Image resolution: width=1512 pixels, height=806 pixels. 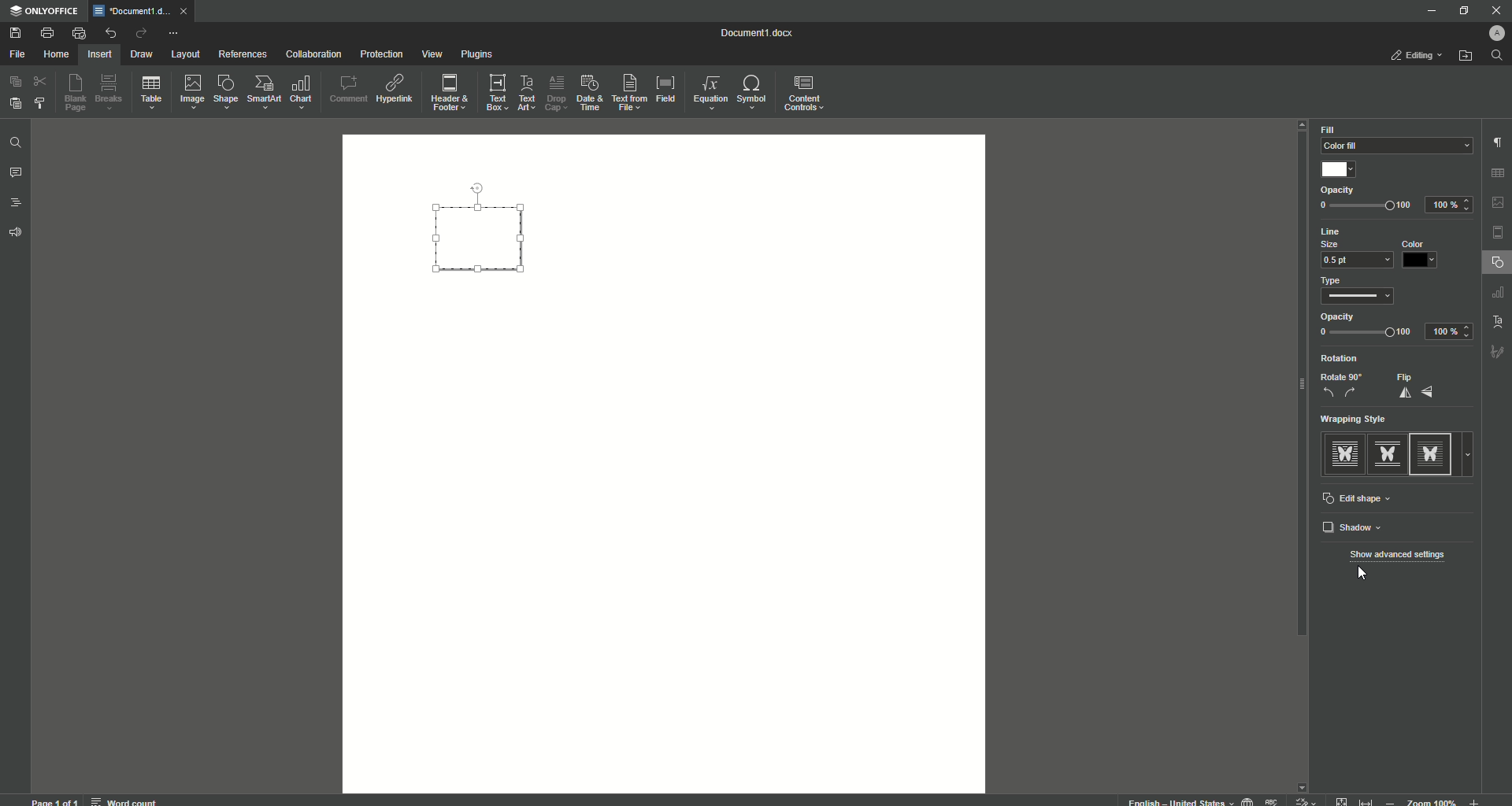 What do you see at coordinates (1497, 263) in the screenshot?
I see `Shape Settings` at bounding box center [1497, 263].